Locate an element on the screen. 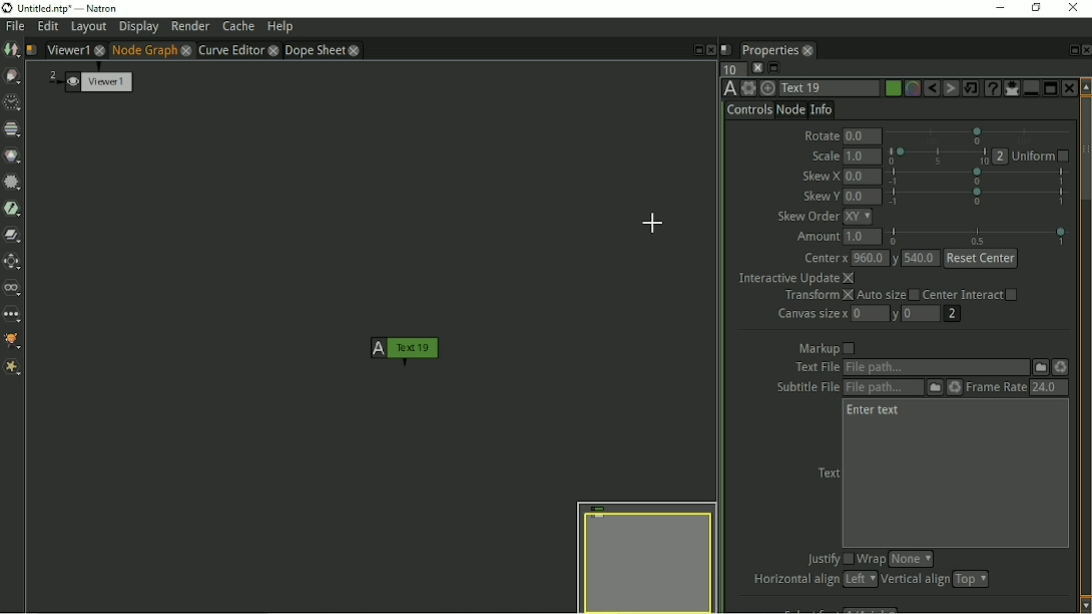 This screenshot has height=614, width=1092. Skew Y is located at coordinates (821, 195).